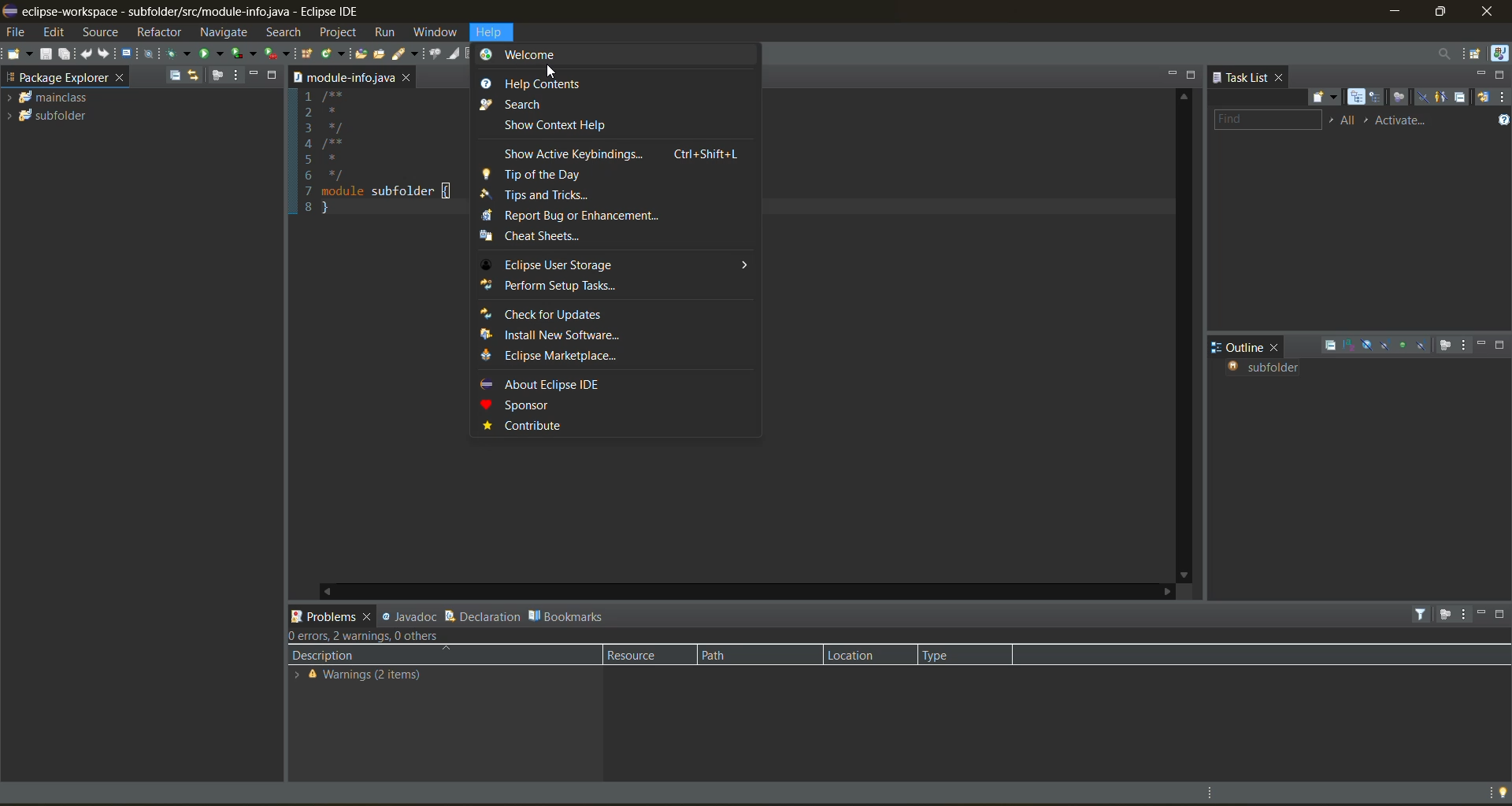 This screenshot has width=1512, height=806. Describe the element at coordinates (359, 52) in the screenshot. I see `open type` at that location.